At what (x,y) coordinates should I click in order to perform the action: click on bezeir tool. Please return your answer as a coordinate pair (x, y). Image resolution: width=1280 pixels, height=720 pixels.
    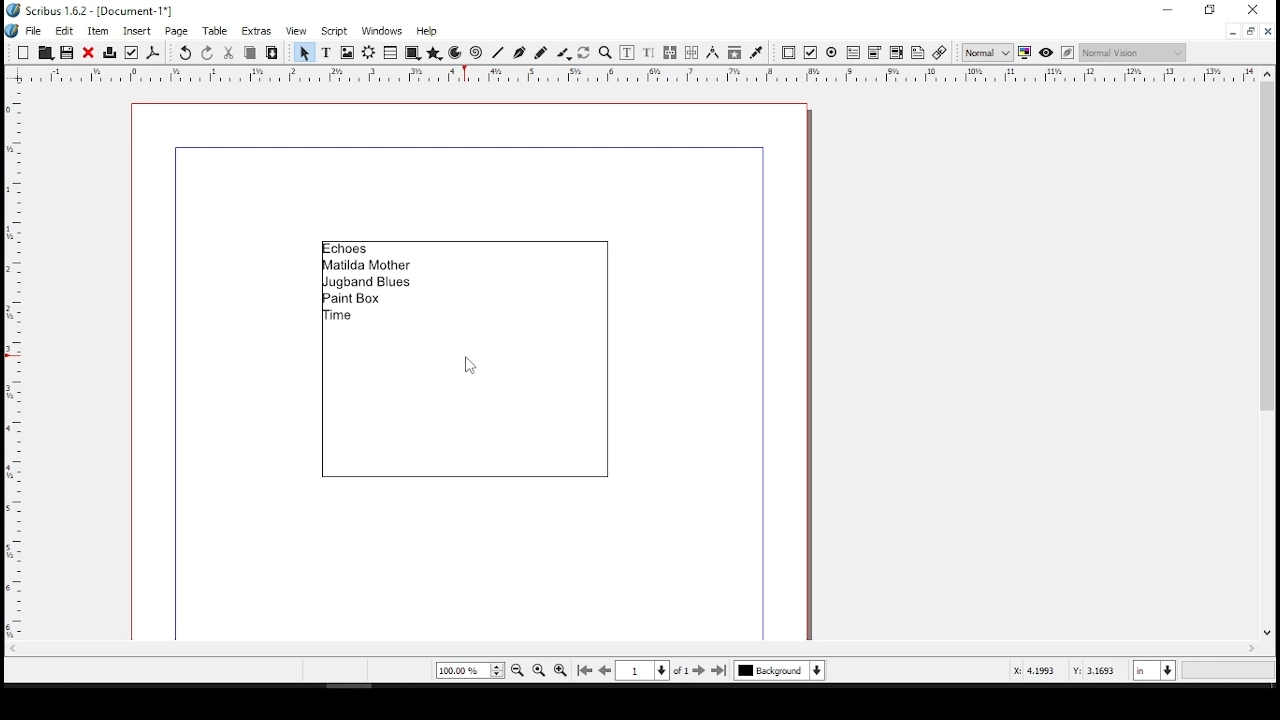
    Looking at the image, I should click on (520, 54).